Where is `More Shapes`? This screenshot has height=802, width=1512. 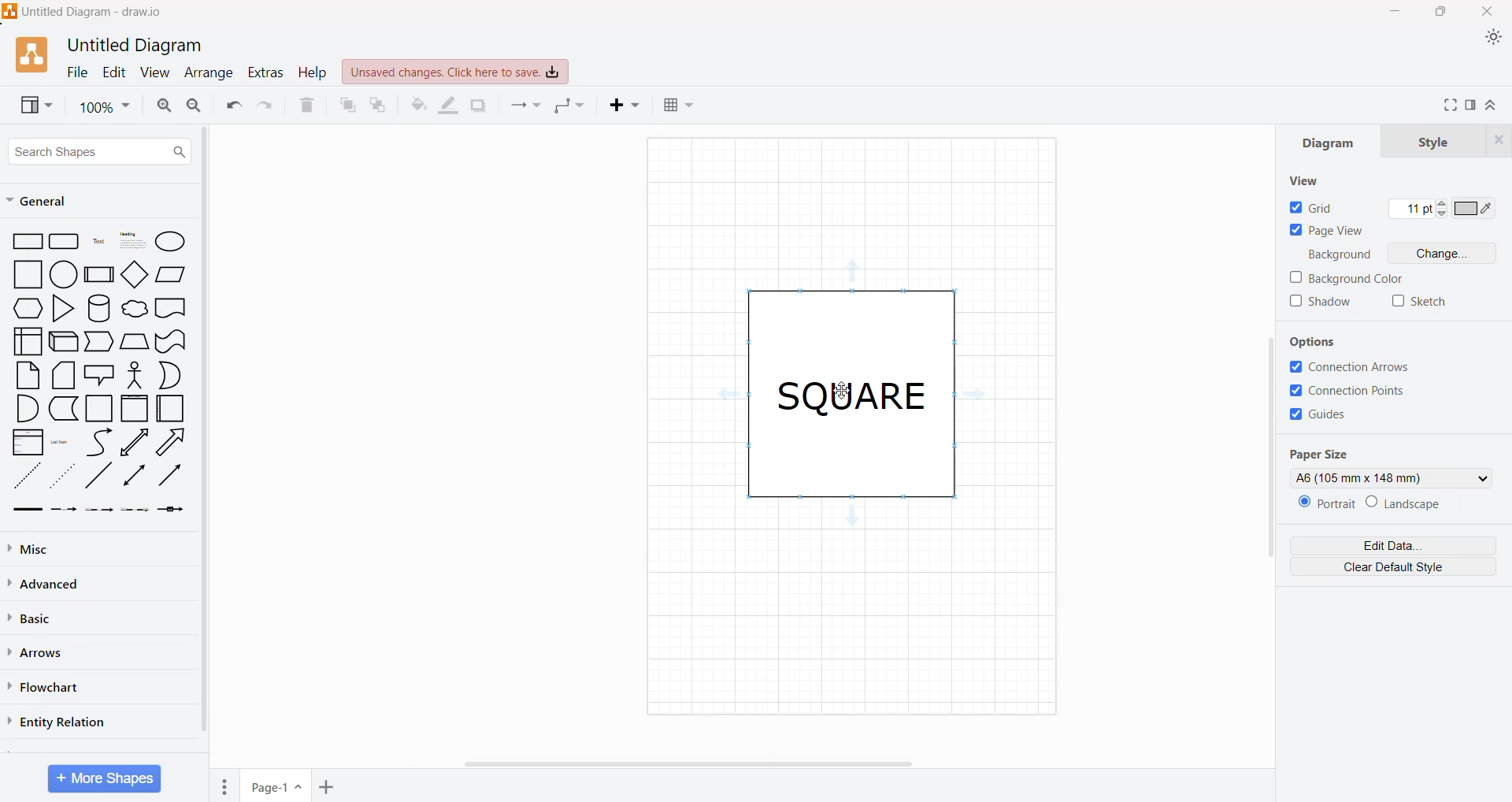 More Shapes is located at coordinates (106, 778).